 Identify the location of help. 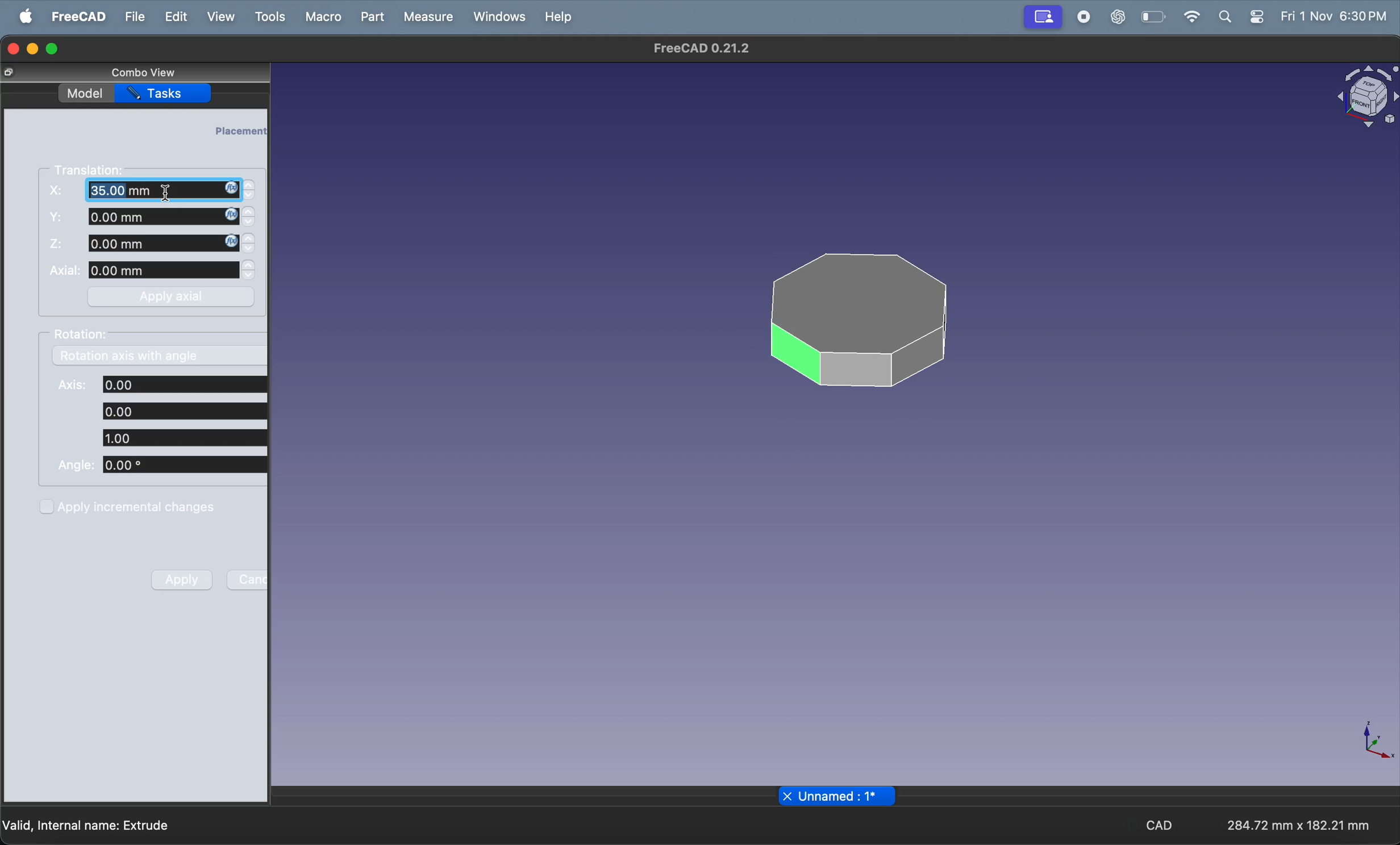
(561, 16).